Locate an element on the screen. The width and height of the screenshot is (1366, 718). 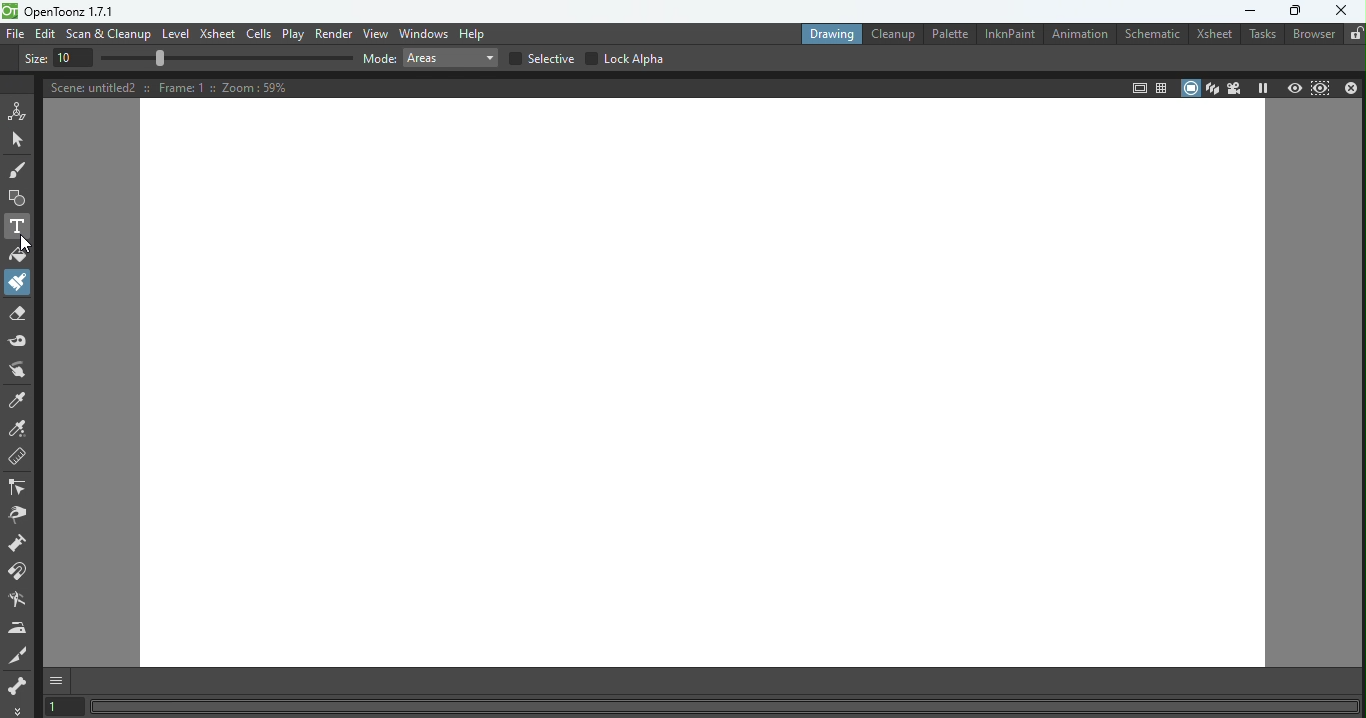
Scene details is located at coordinates (167, 89).